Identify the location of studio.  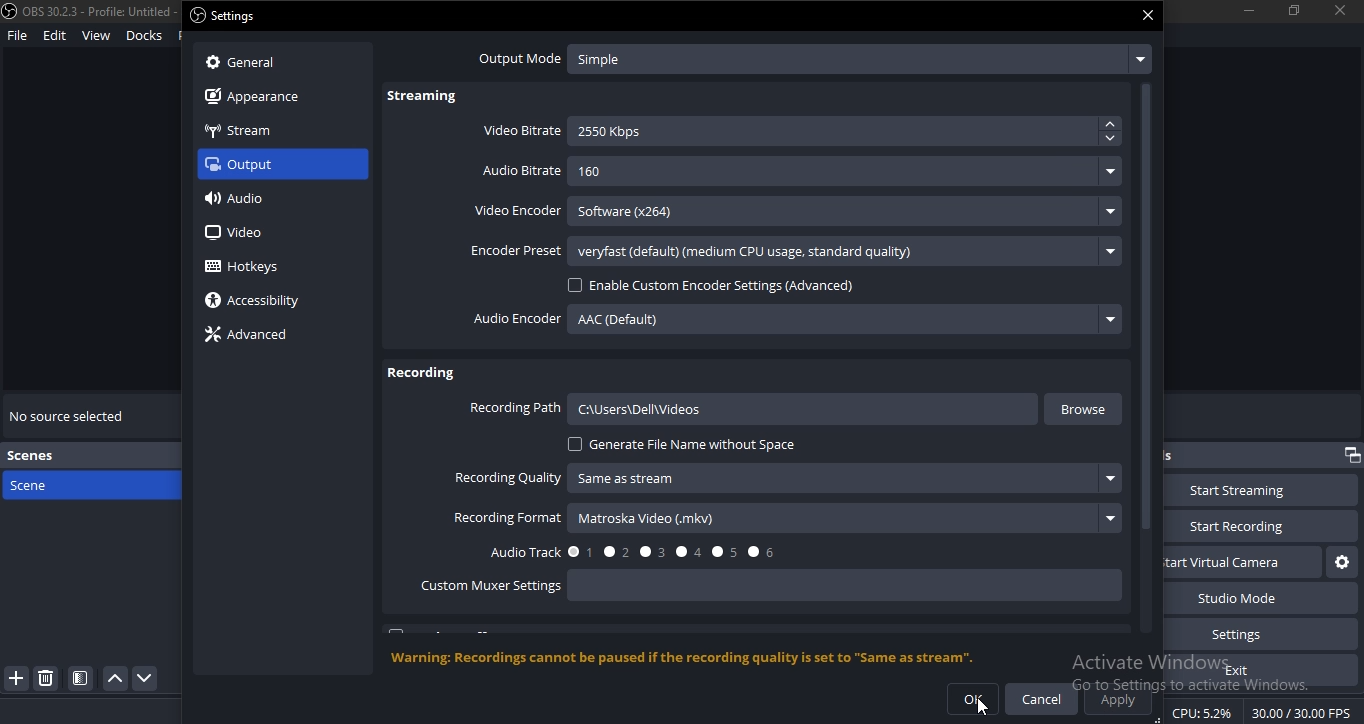
(1251, 598).